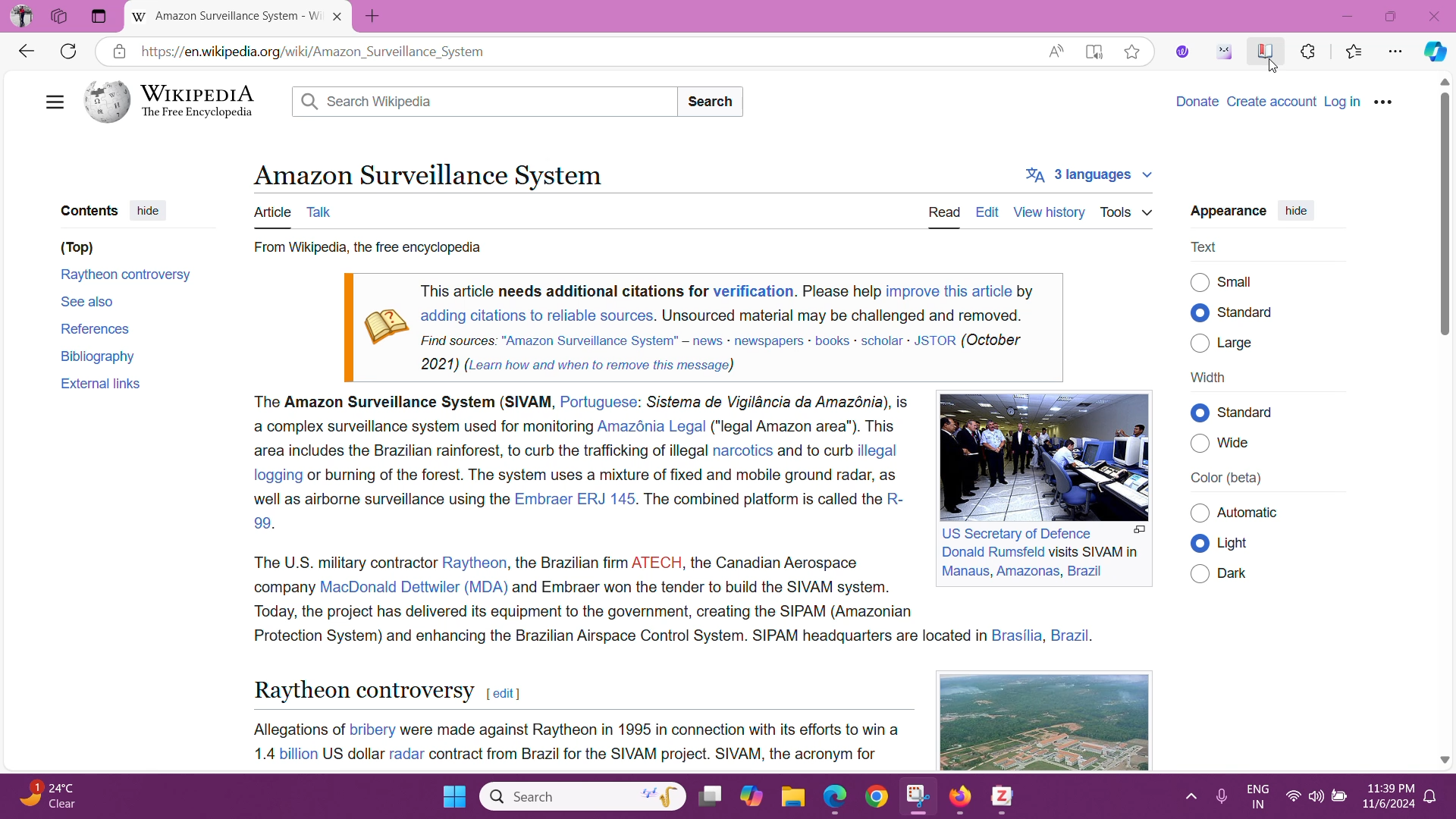 The width and height of the screenshot is (1456, 819). Describe the element at coordinates (1182, 52) in the screenshot. I see `Wordtune Extension` at that location.